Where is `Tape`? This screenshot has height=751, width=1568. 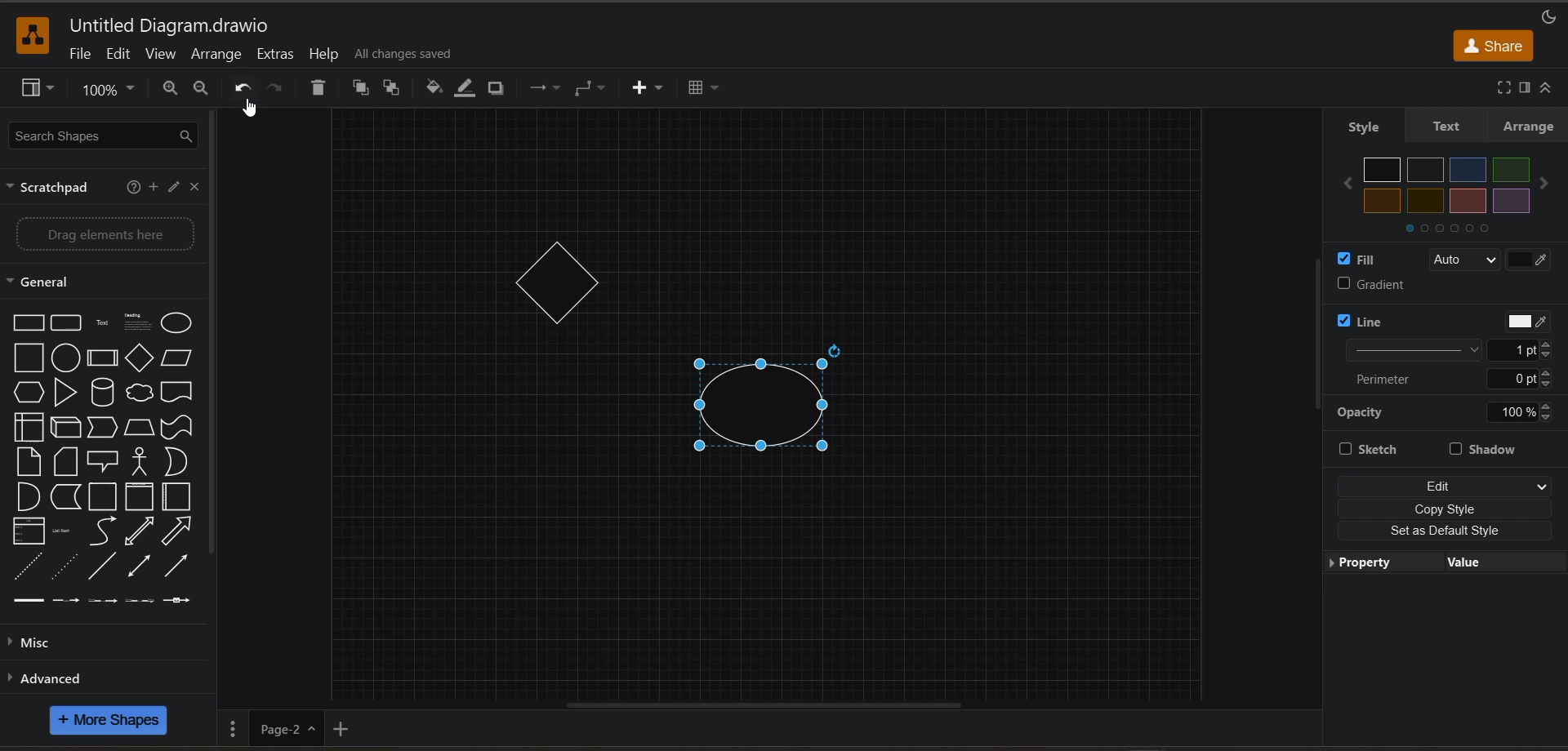 Tape is located at coordinates (176, 429).